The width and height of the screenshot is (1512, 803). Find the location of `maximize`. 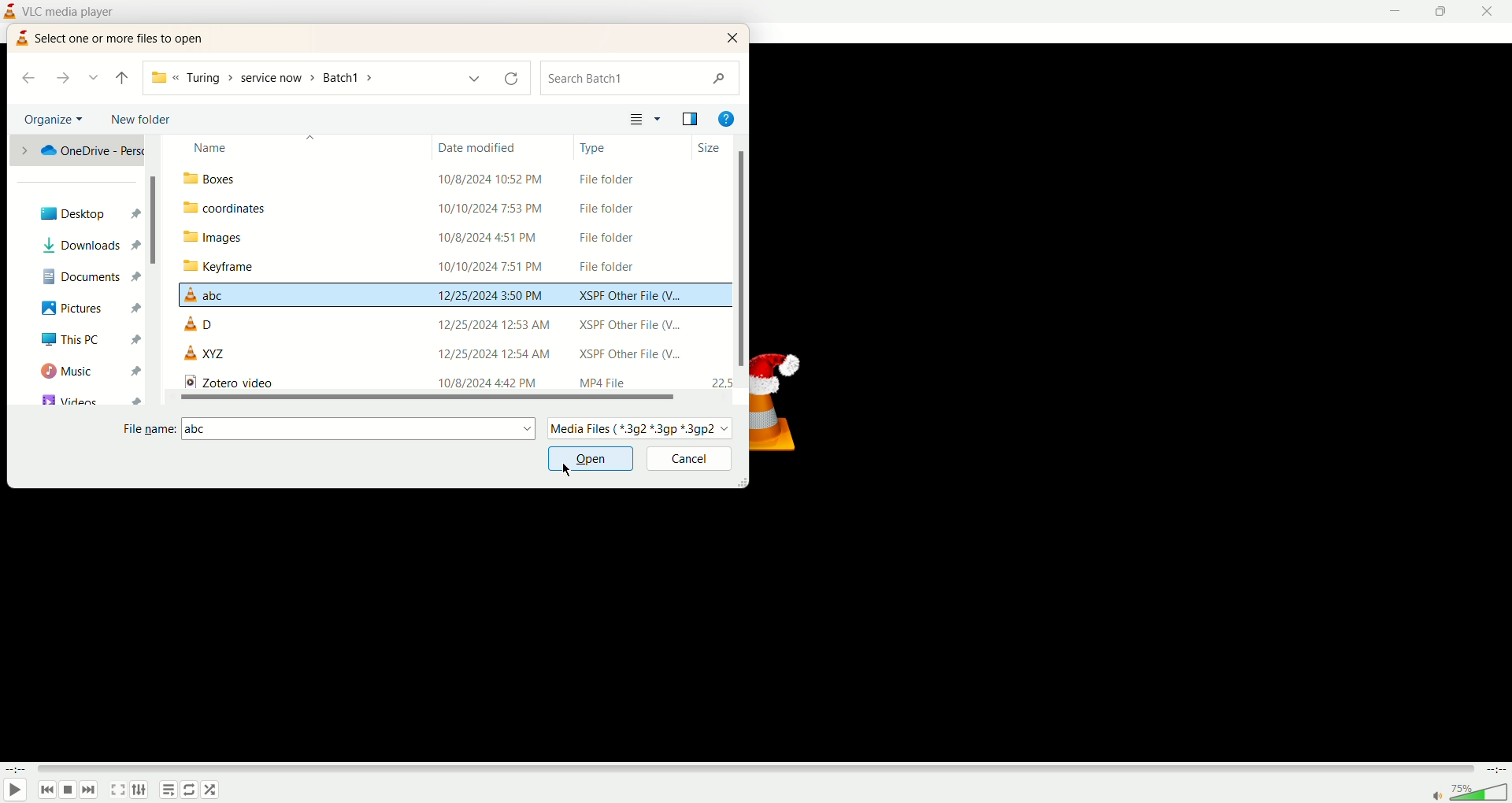

maximize is located at coordinates (1442, 13).